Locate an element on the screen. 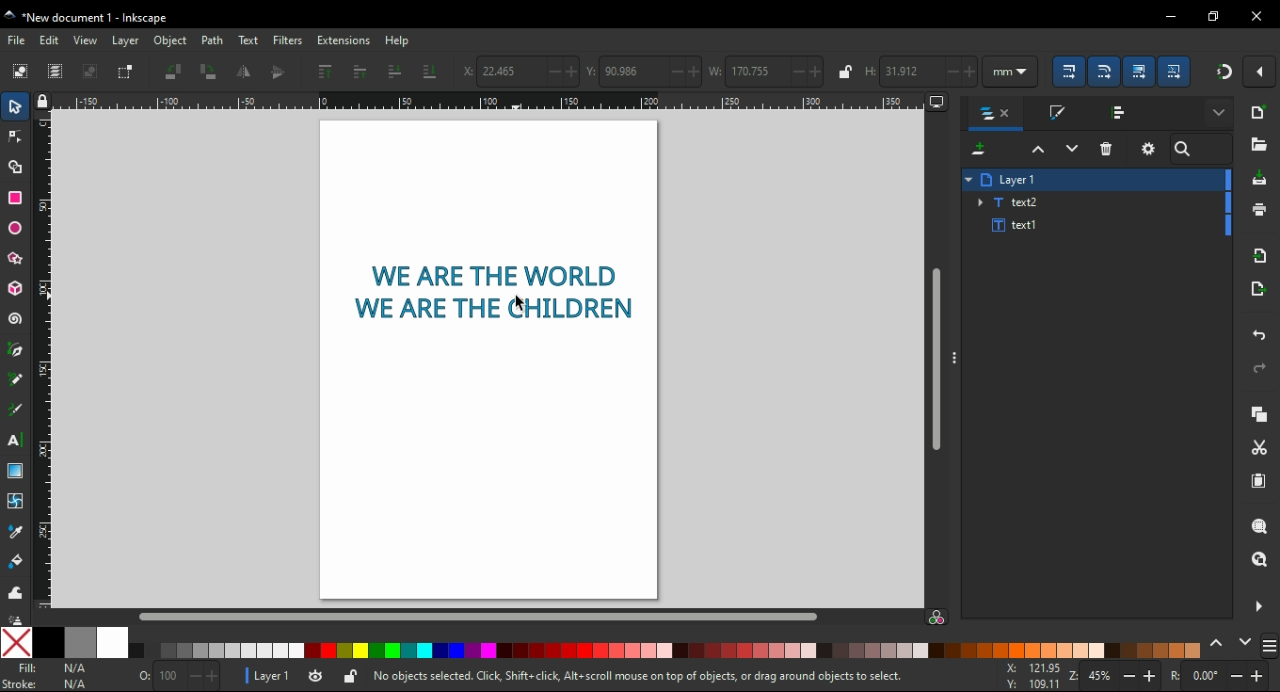 Image resolution: width=1280 pixels, height=692 pixels. move patterns along with objects is located at coordinates (1176, 72).